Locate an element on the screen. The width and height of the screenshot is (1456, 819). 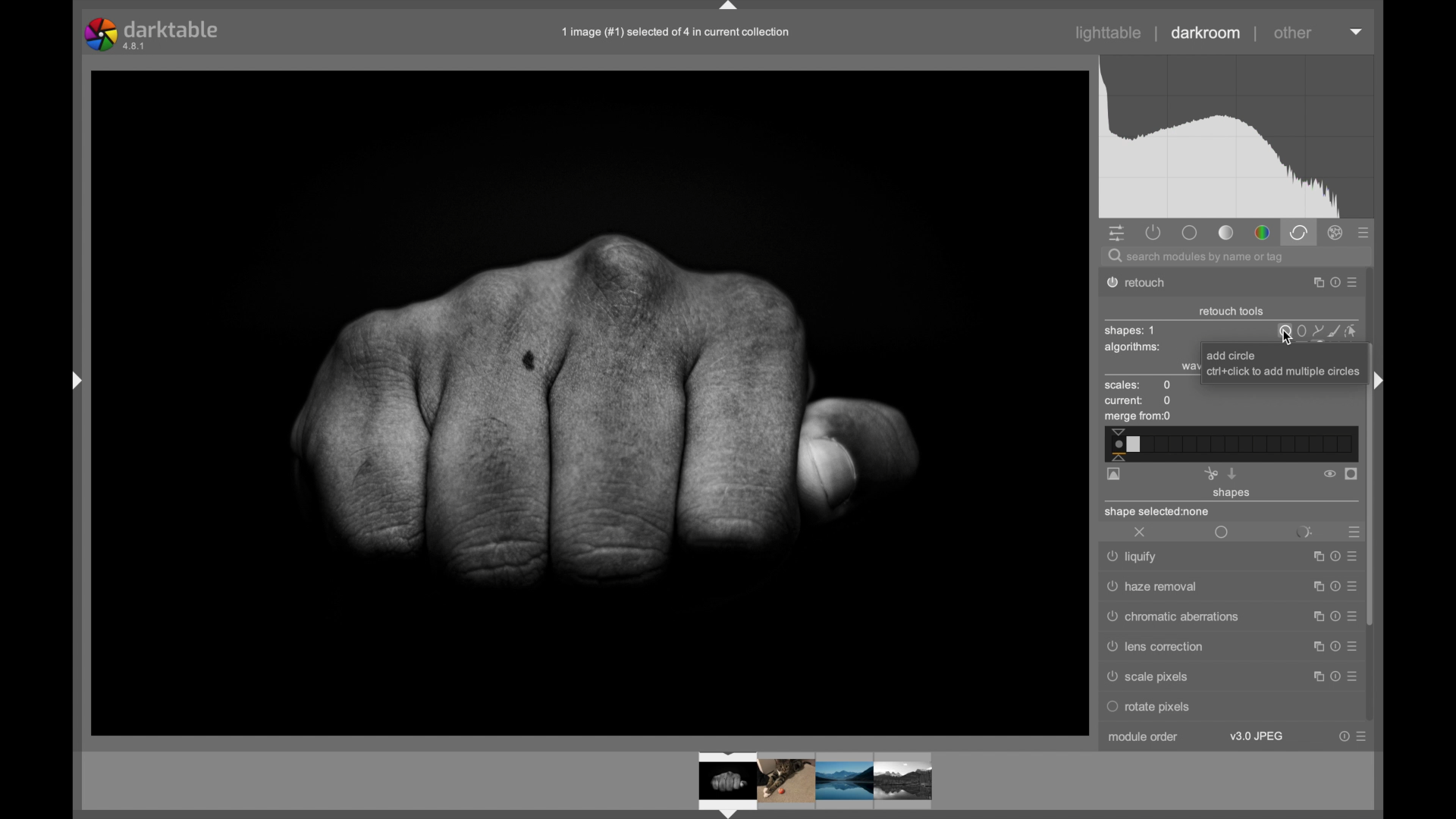
photo is located at coordinates (591, 403).